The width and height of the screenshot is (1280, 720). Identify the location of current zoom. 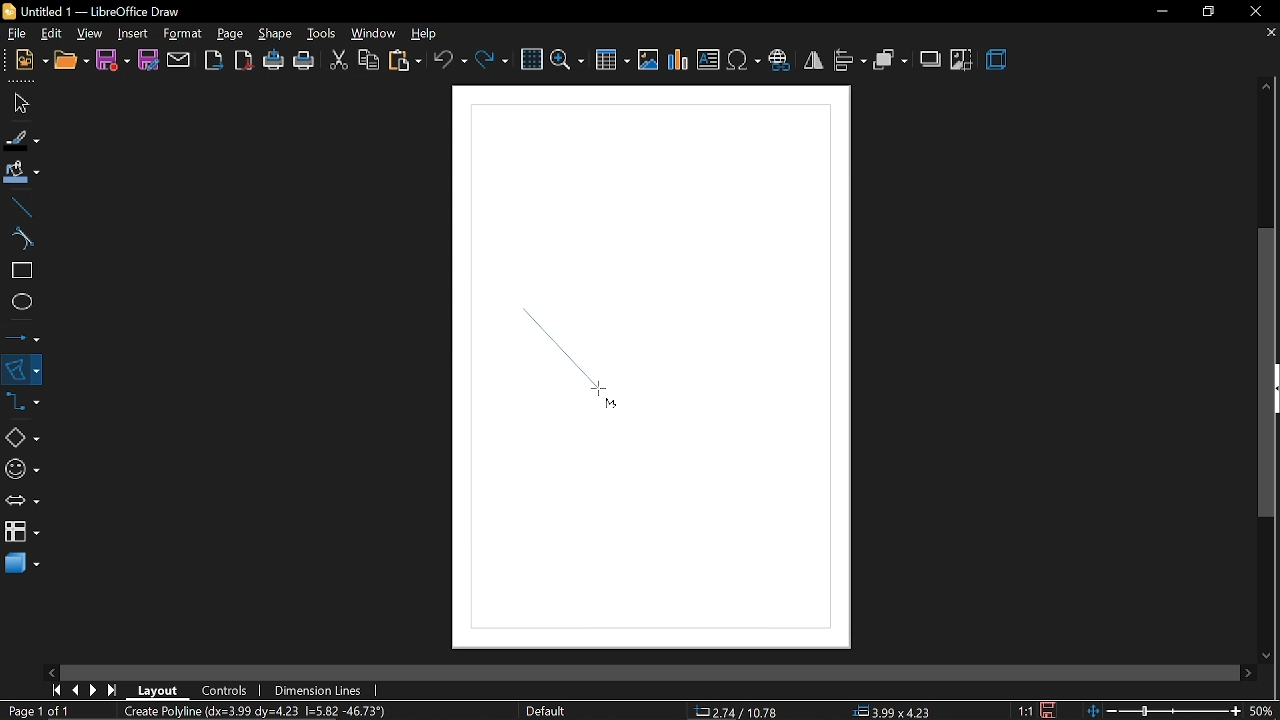
(1262, 711).